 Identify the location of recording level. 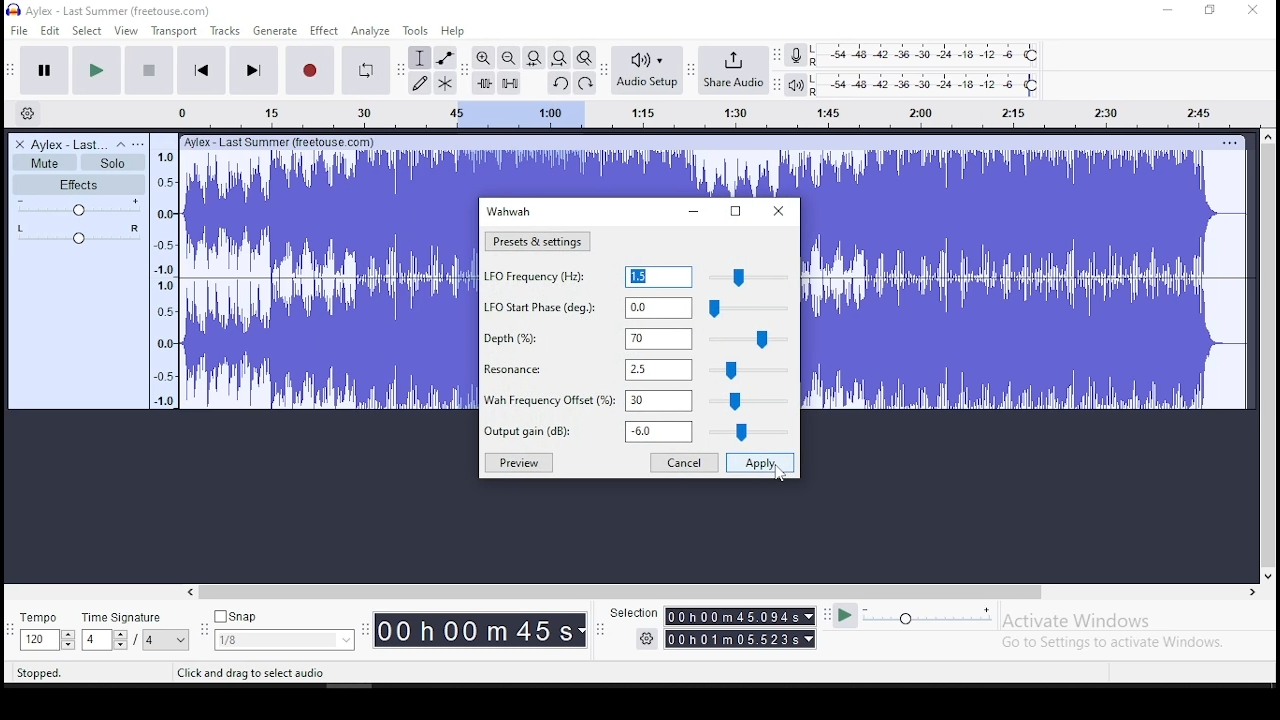
(932, 54).